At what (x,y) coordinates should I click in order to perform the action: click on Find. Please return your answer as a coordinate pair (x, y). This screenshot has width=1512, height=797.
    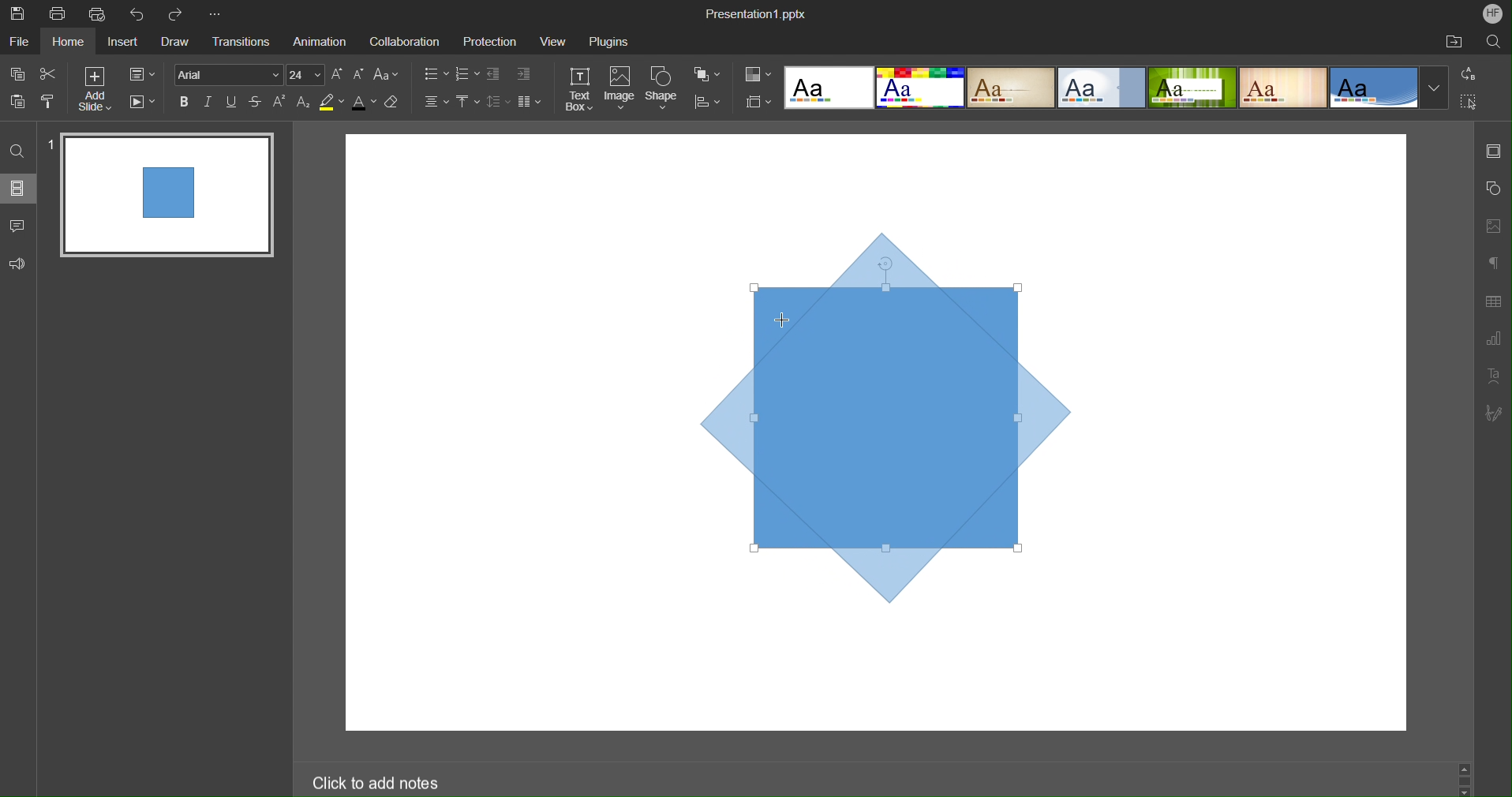
    Looking at the image, I should click on (18, 152).